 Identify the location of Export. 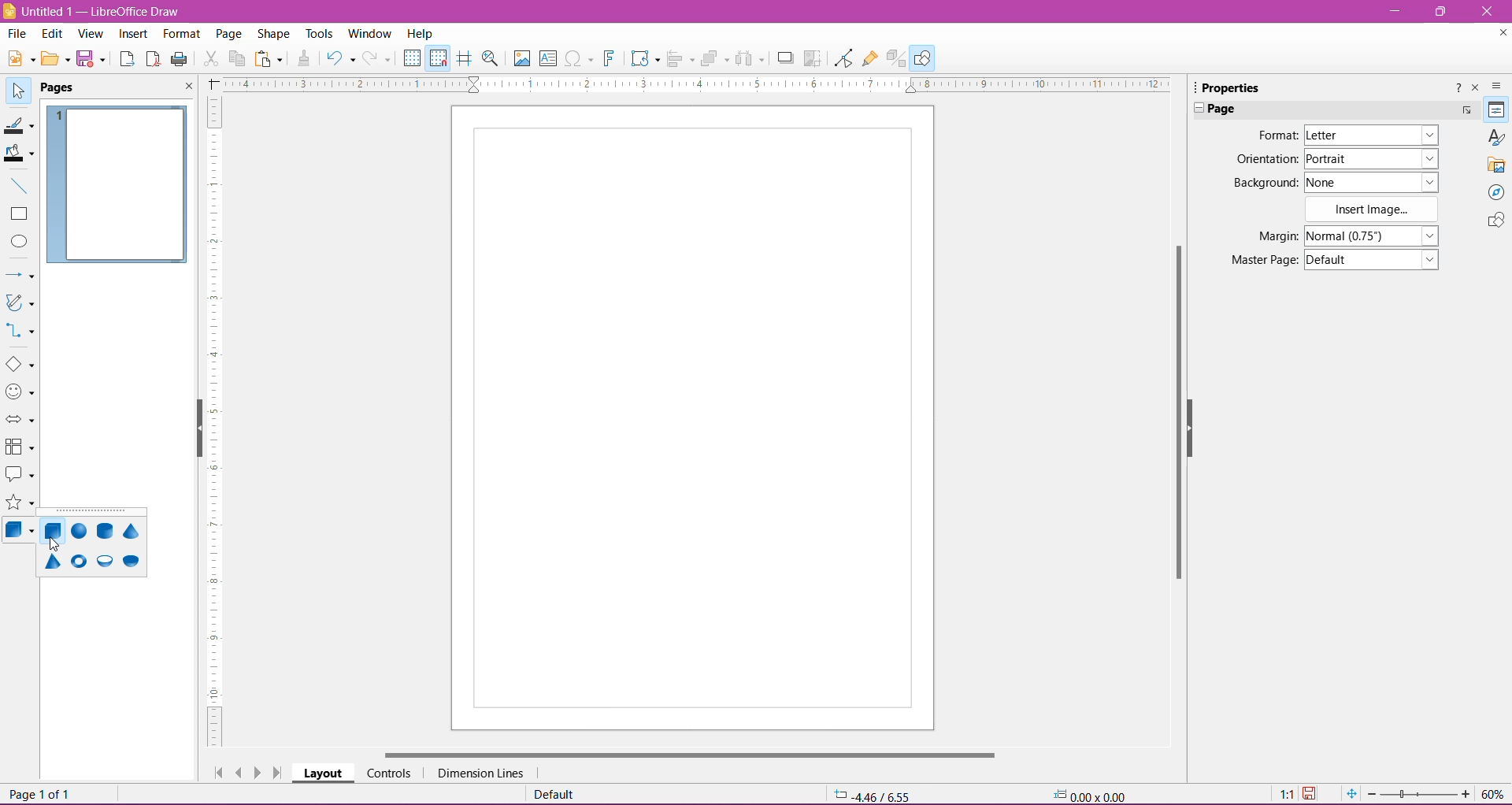
(127, 60).